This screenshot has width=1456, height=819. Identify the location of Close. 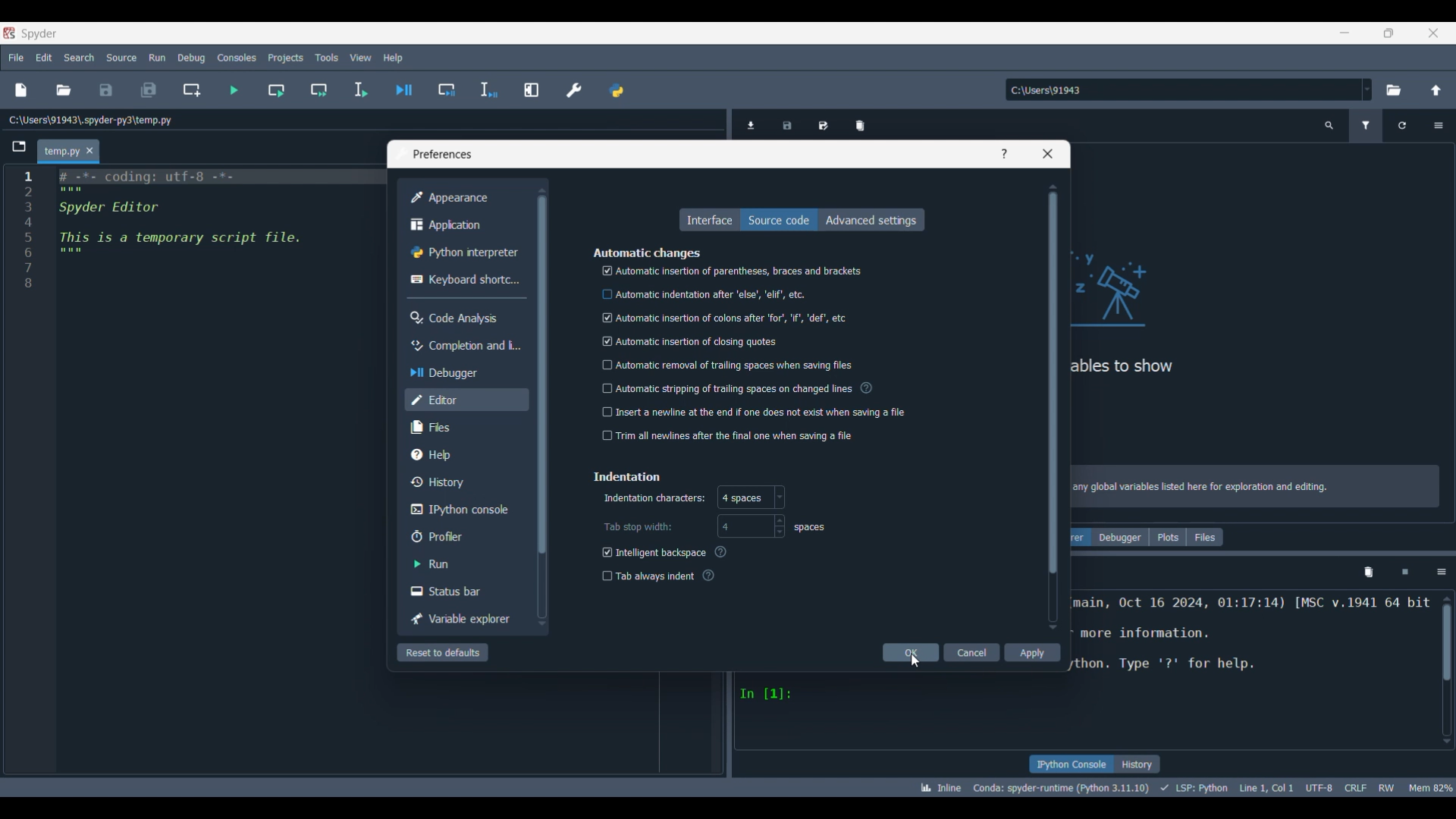
(1048, 154).